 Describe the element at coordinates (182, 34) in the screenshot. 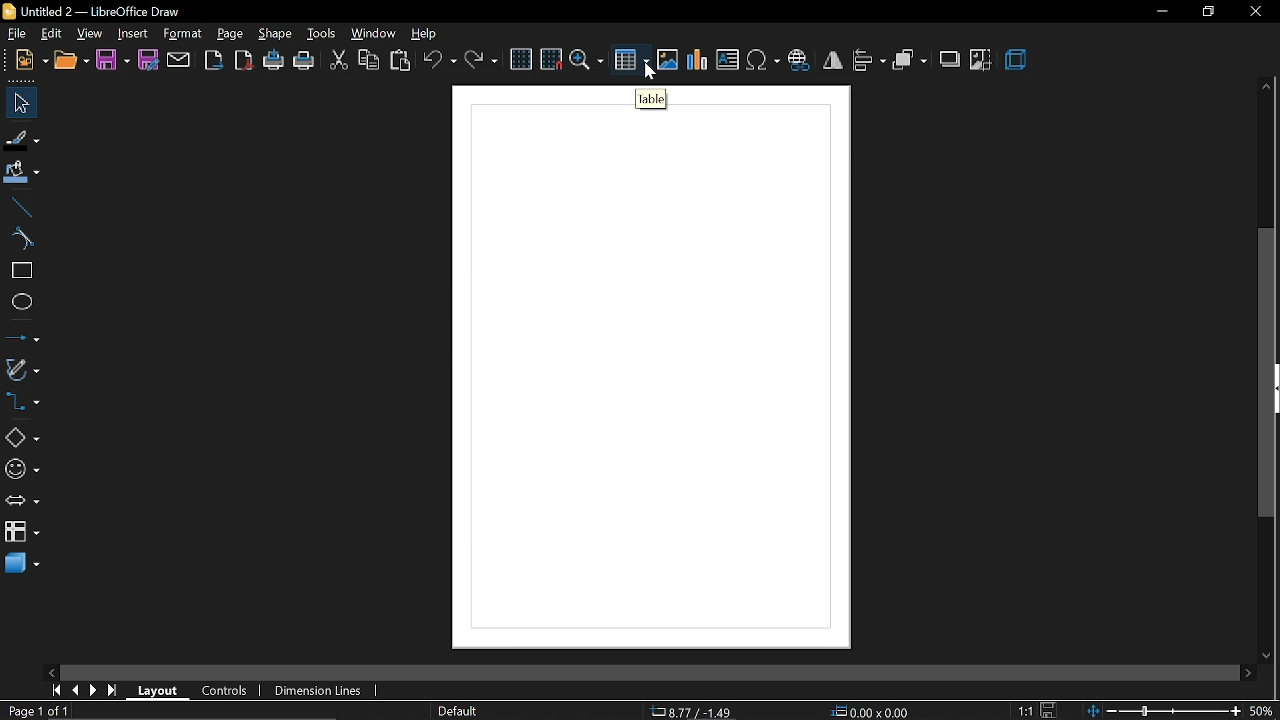

I see `format` at that location.